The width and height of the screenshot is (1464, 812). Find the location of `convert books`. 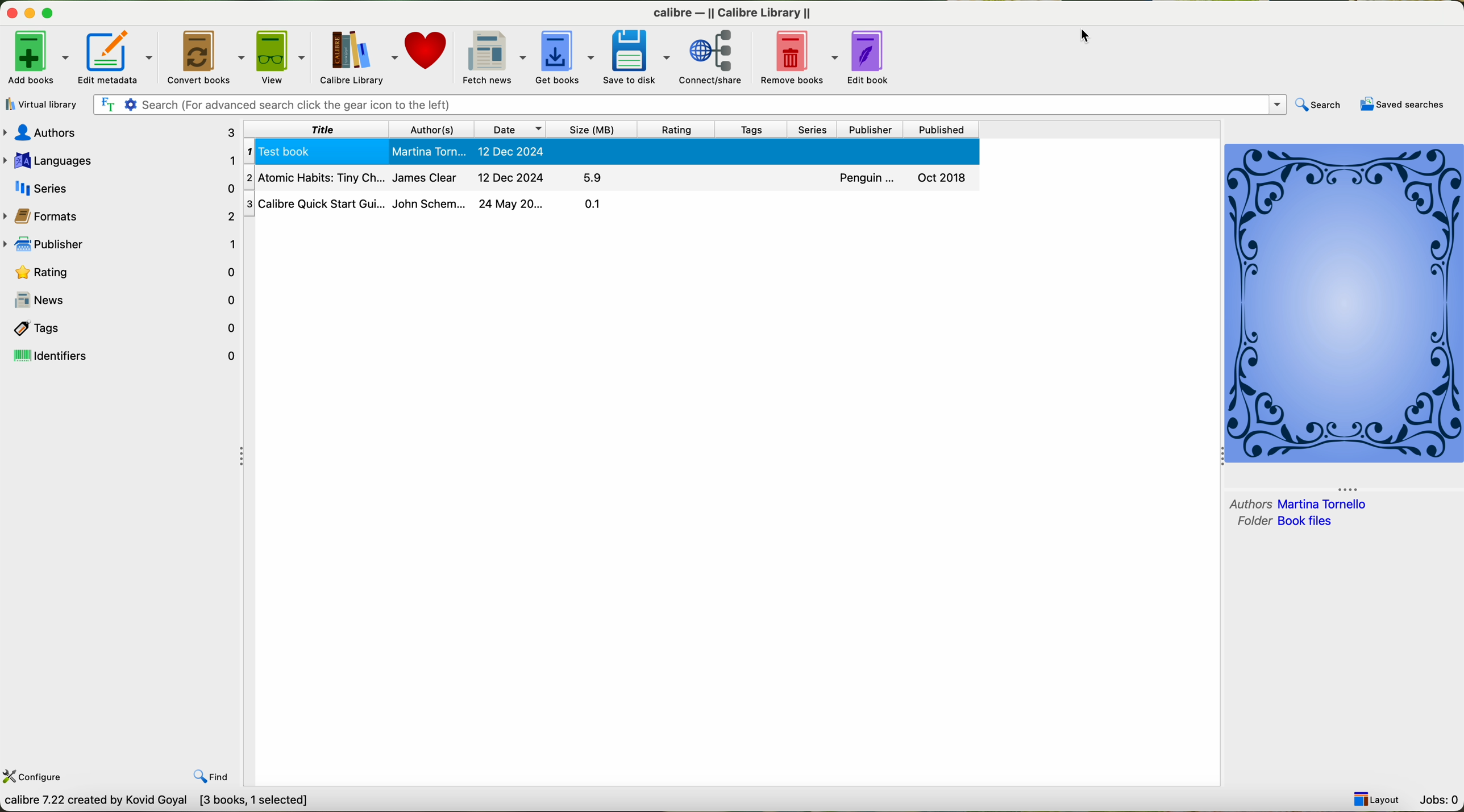

convert books is located at coordinates (200, 56).